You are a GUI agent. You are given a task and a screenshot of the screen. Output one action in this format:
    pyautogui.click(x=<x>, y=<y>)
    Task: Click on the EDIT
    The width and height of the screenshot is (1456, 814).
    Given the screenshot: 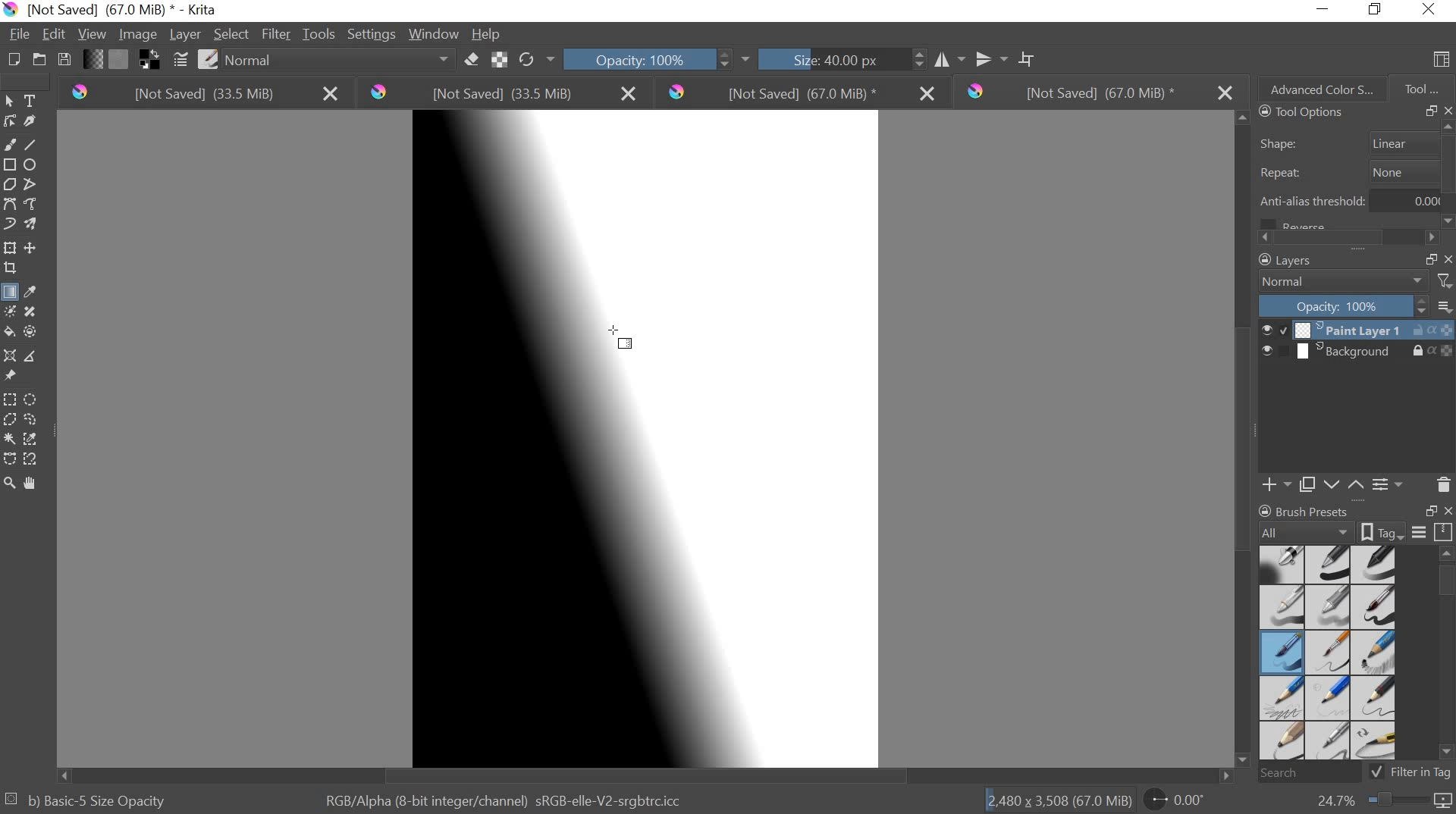 What is the action you would take?
    pyautogui.click(x=57, y=33)
    